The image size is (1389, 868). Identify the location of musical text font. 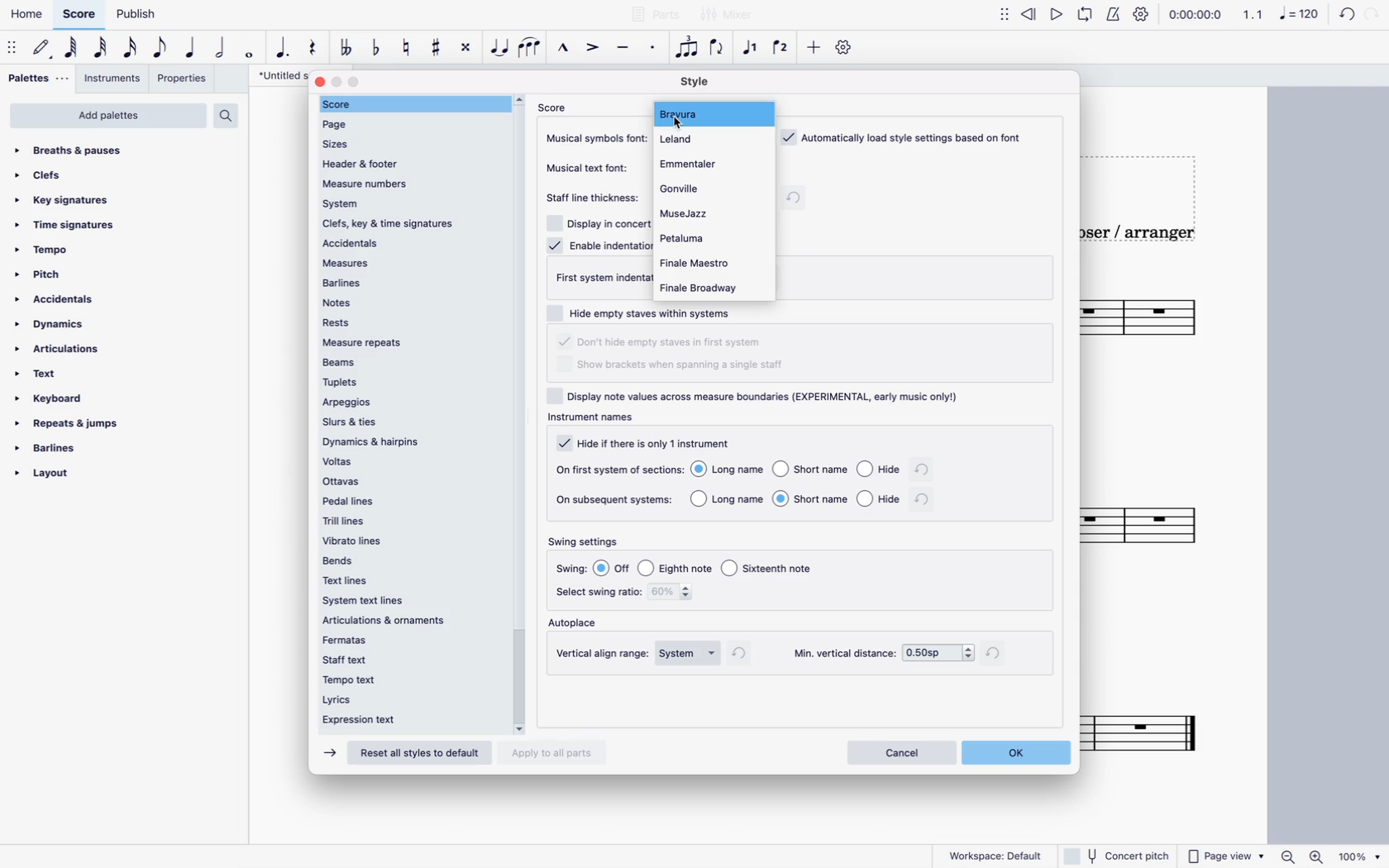
(593, 167).